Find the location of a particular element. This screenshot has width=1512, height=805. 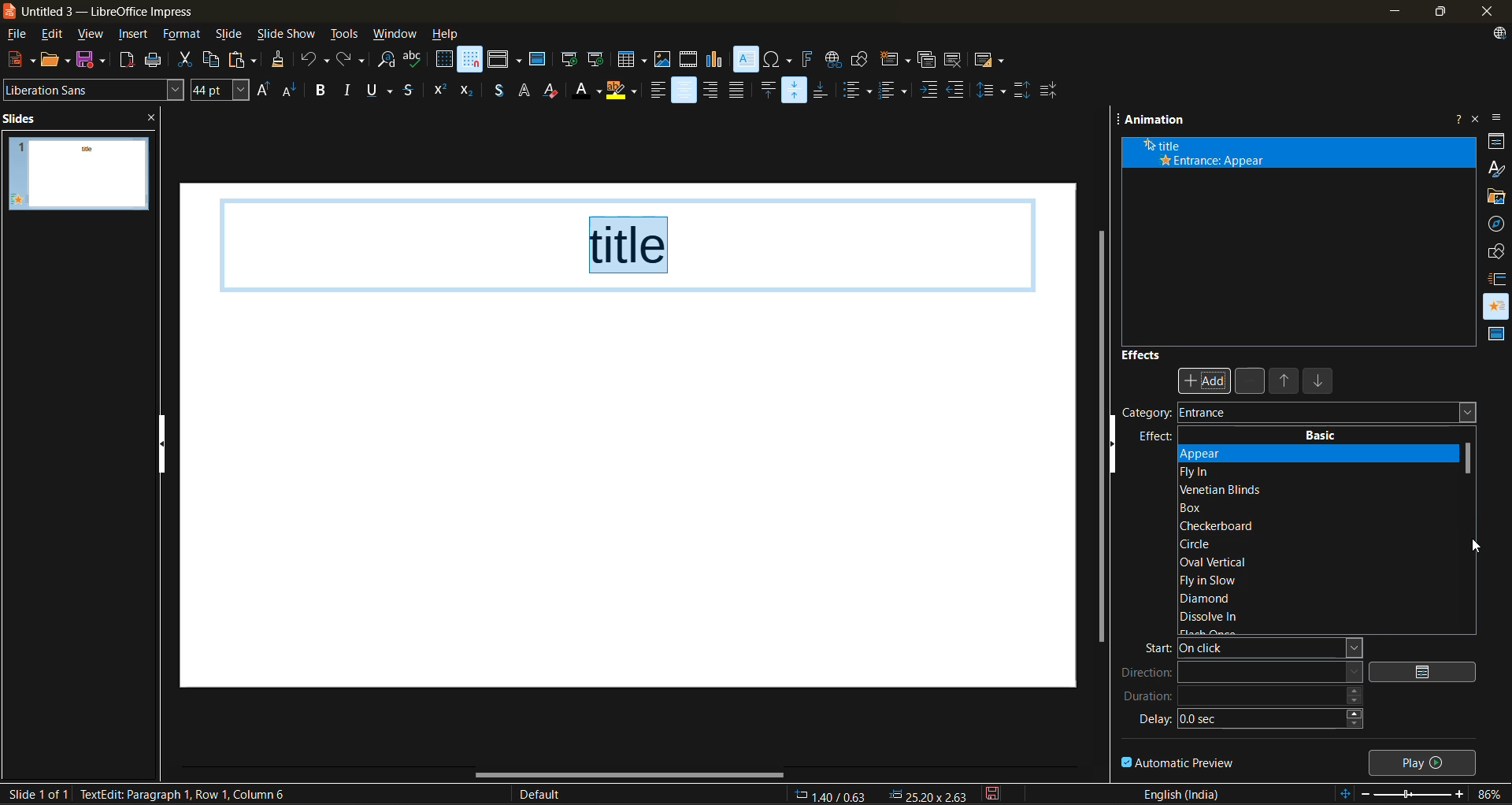

decrease indent is located at coordinates (959, 88).